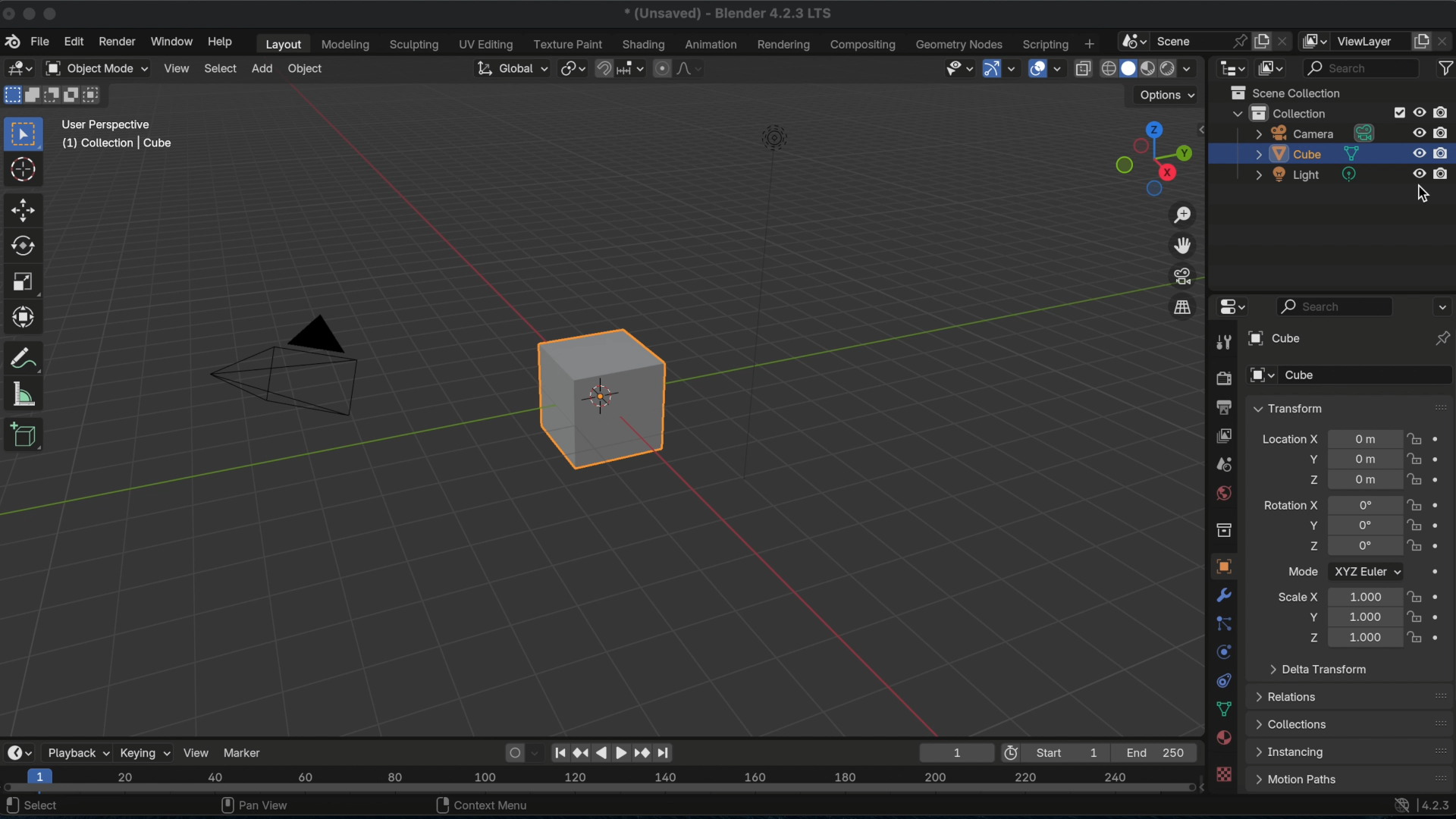 The height and width of the screenshot is (819, 1456). I want to click on viewport shading, so click(1107, 67).